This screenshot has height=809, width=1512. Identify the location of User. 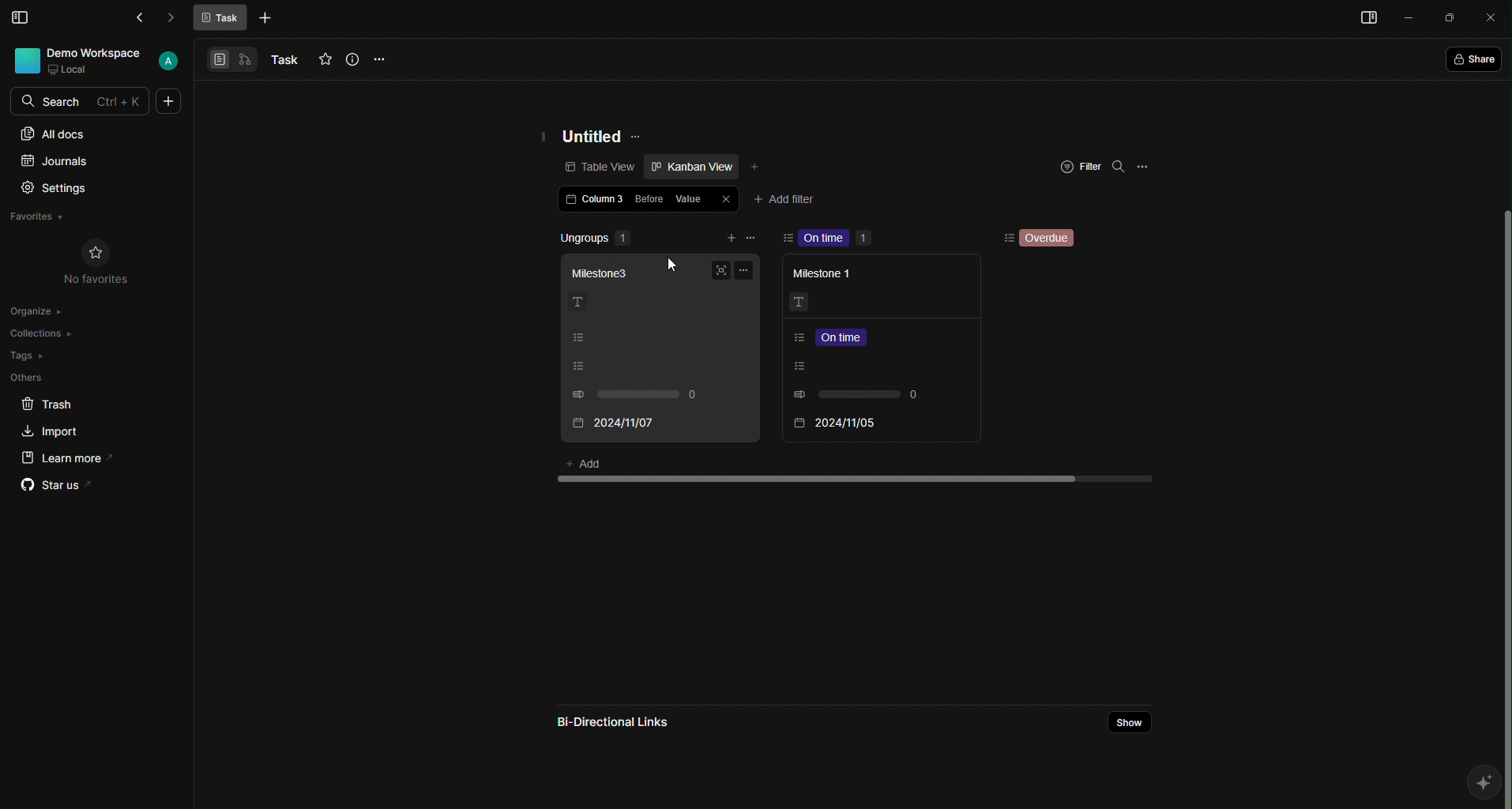
(96, 61).